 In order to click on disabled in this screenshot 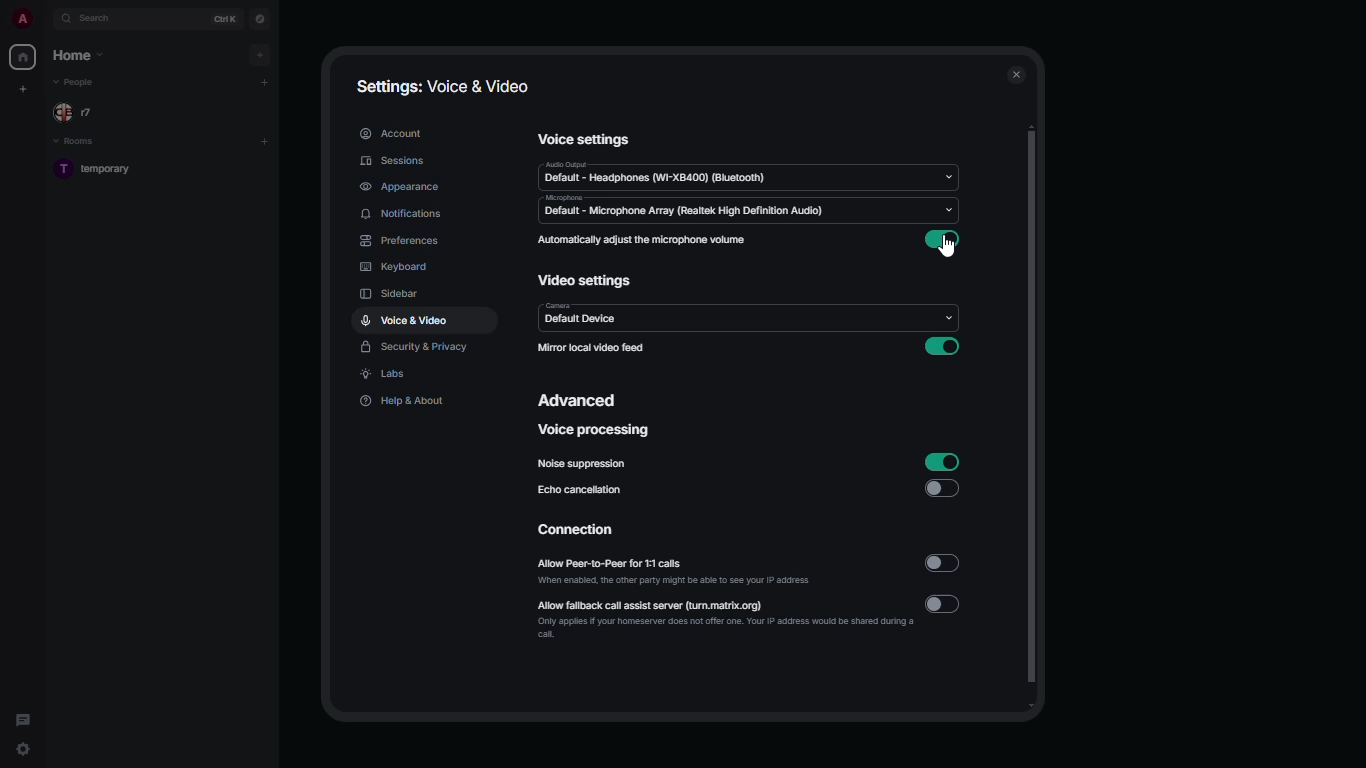, I will do `click(947, 603)`.